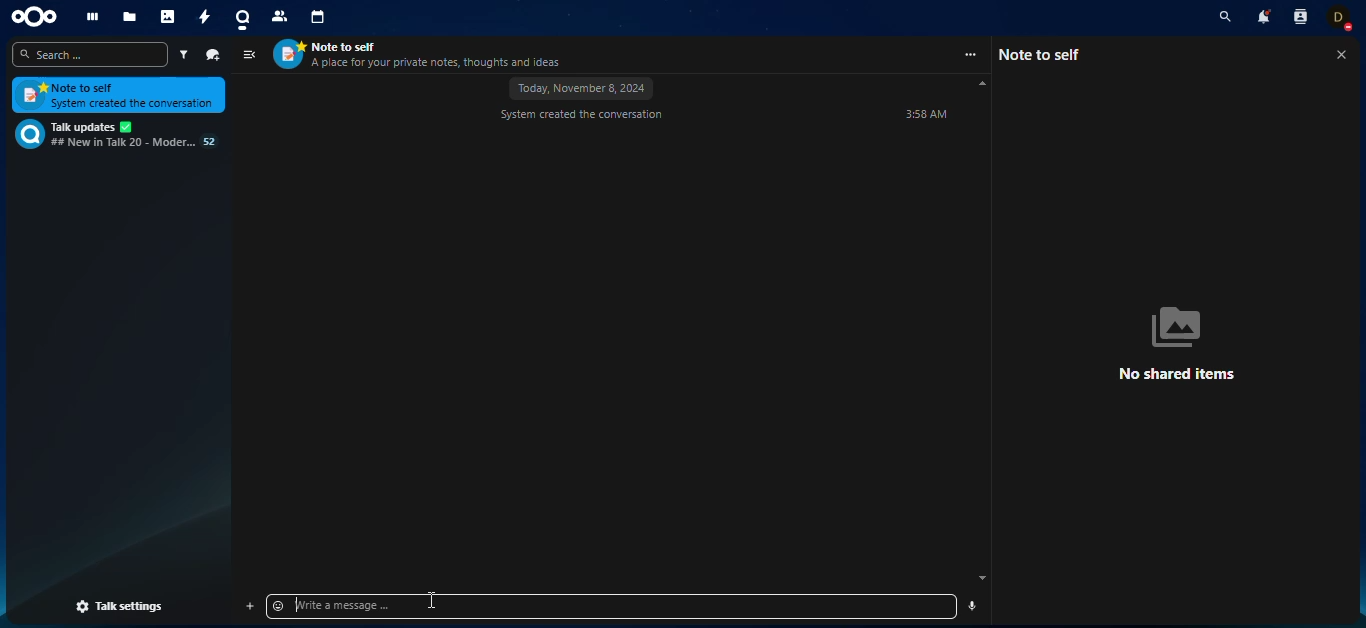  I want to click on activity, so click(203, 18).